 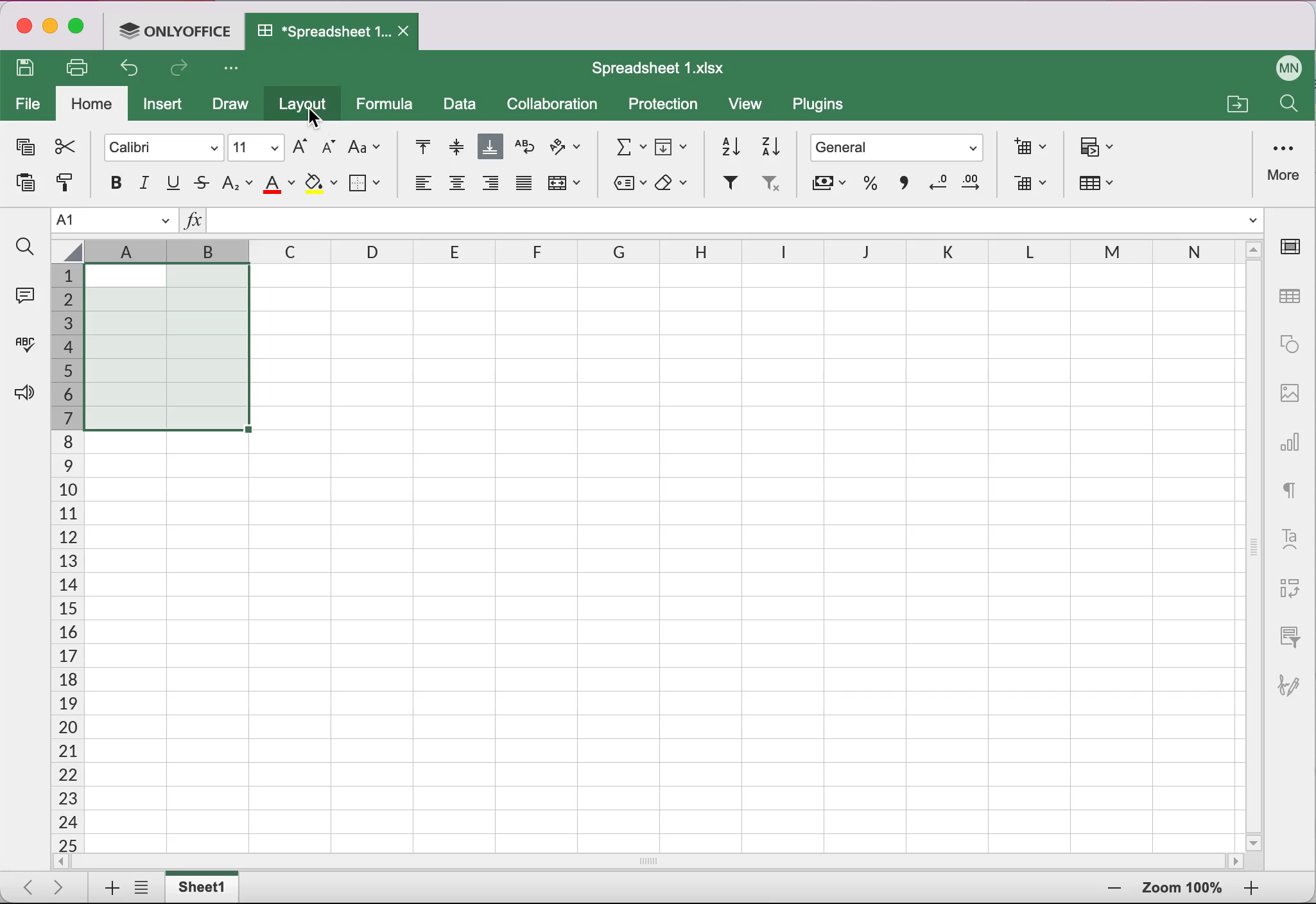 I want to click on paste, so click(x=21, y=187).